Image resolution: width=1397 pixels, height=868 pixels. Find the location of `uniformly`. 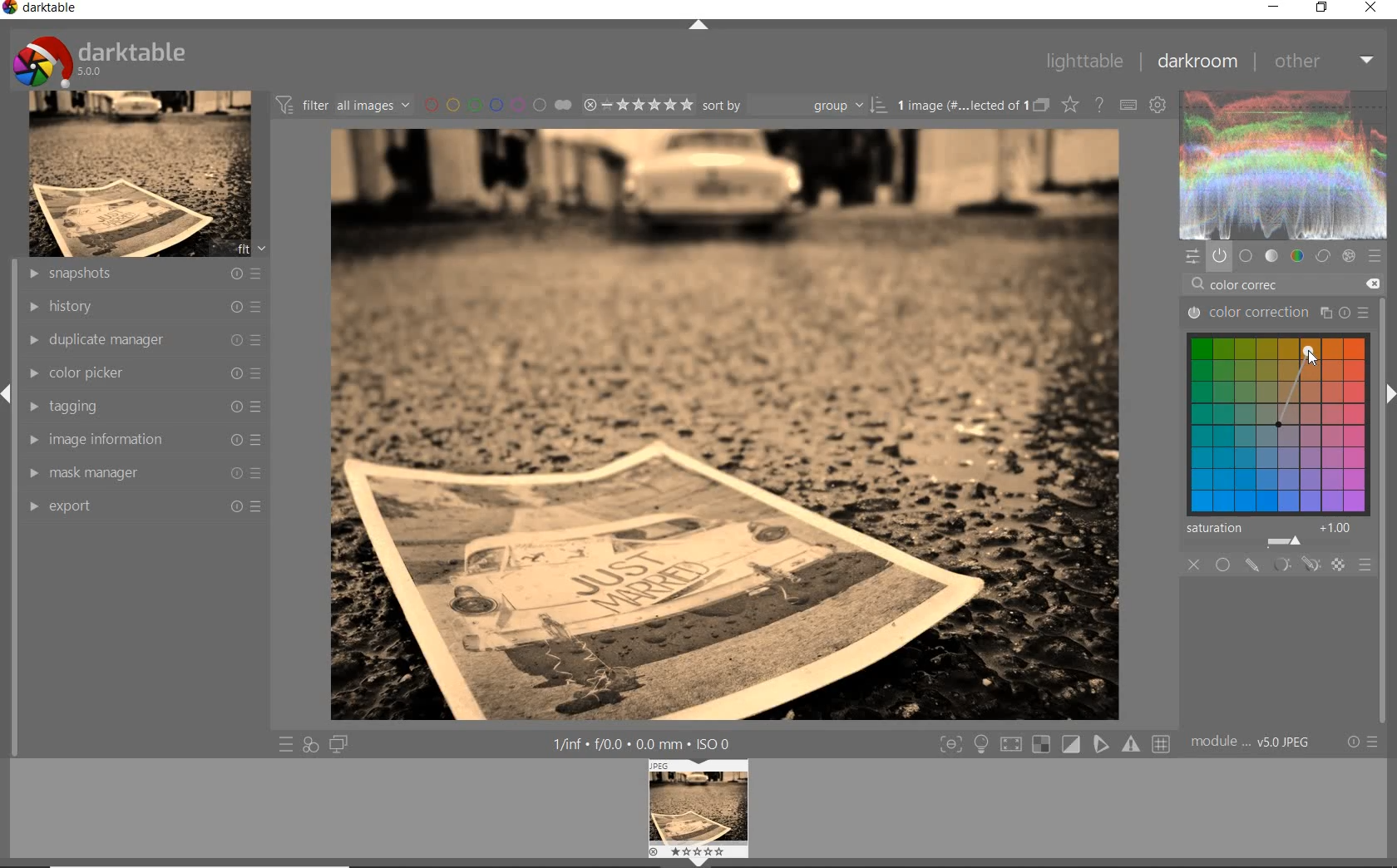

uniformly is located at coordinates (1222, 565).